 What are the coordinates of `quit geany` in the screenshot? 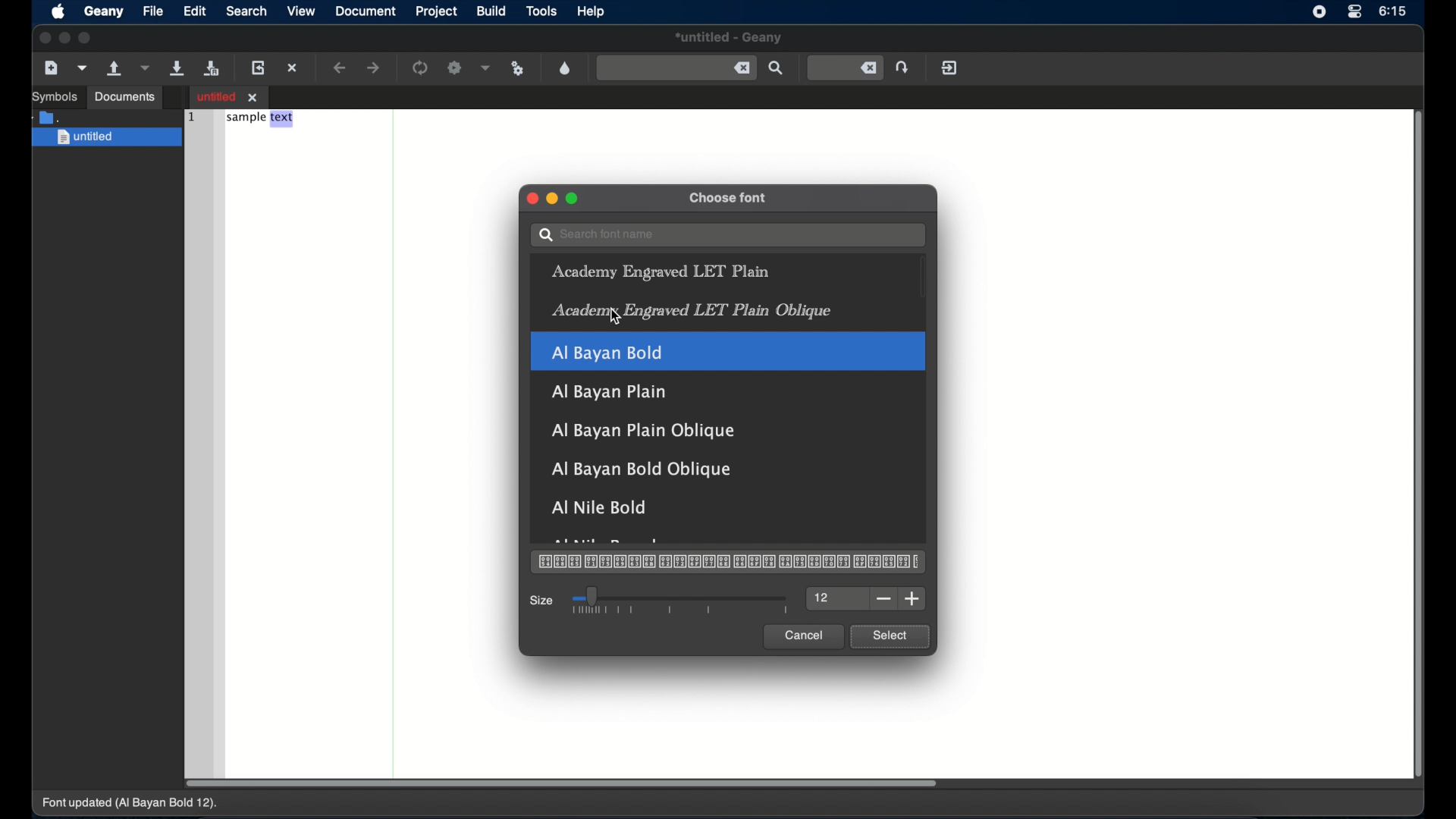 It's located at (949, 67).